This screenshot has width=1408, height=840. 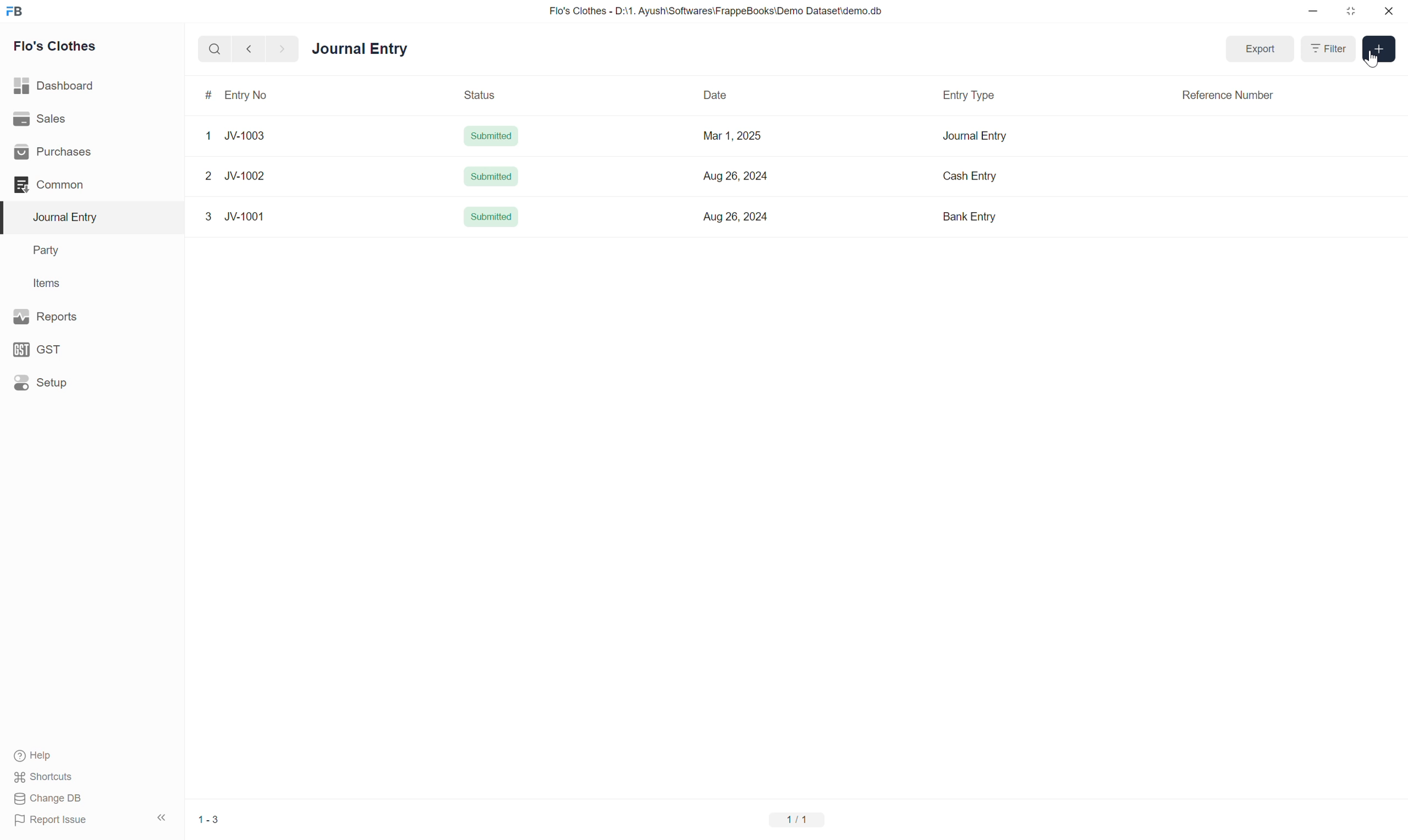 I want to click on Mar 1, 2025, so click(x=734, y=137).